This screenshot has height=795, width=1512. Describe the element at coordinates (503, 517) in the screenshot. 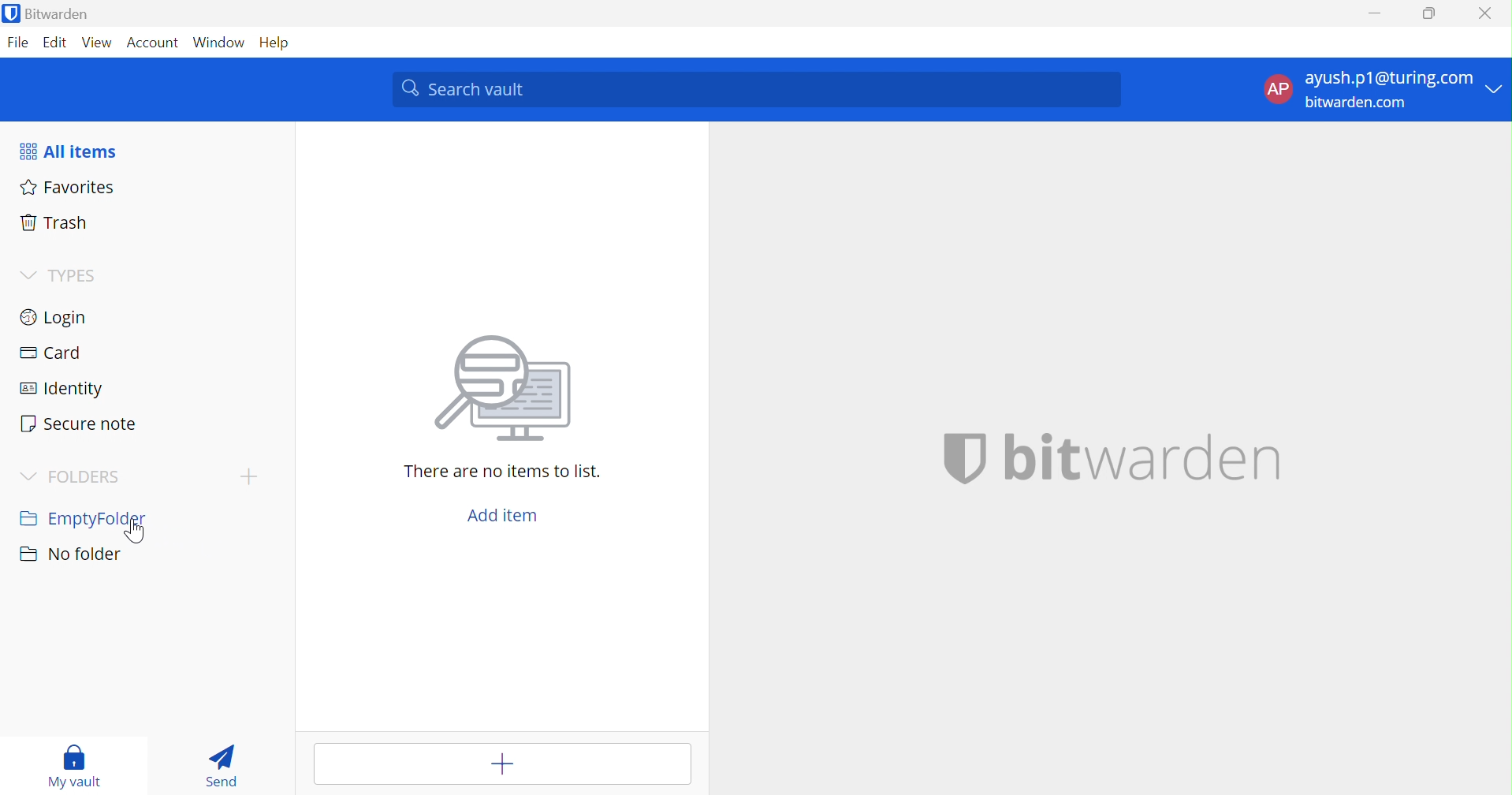

I see `Add item` at that location.